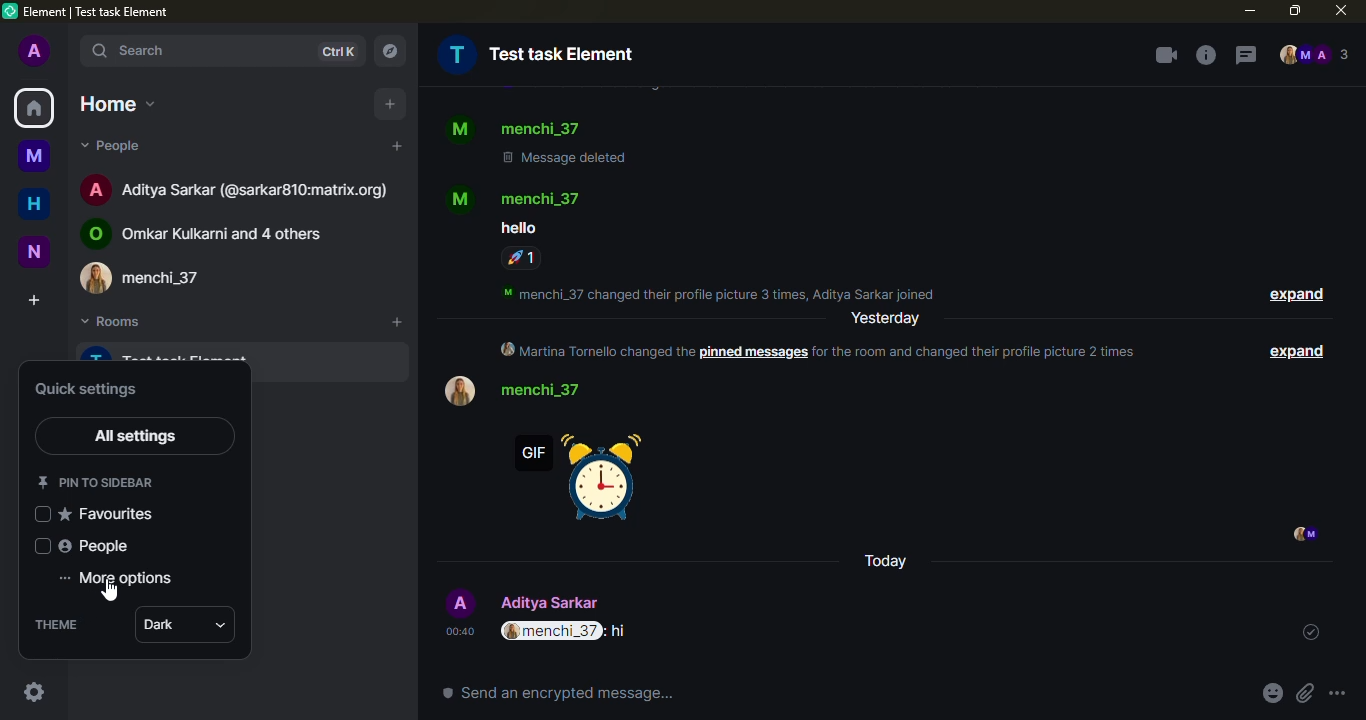 Image resolution: width=1366 pixels, height=720 pixels. I want to click on sent, so click(1306, 632).